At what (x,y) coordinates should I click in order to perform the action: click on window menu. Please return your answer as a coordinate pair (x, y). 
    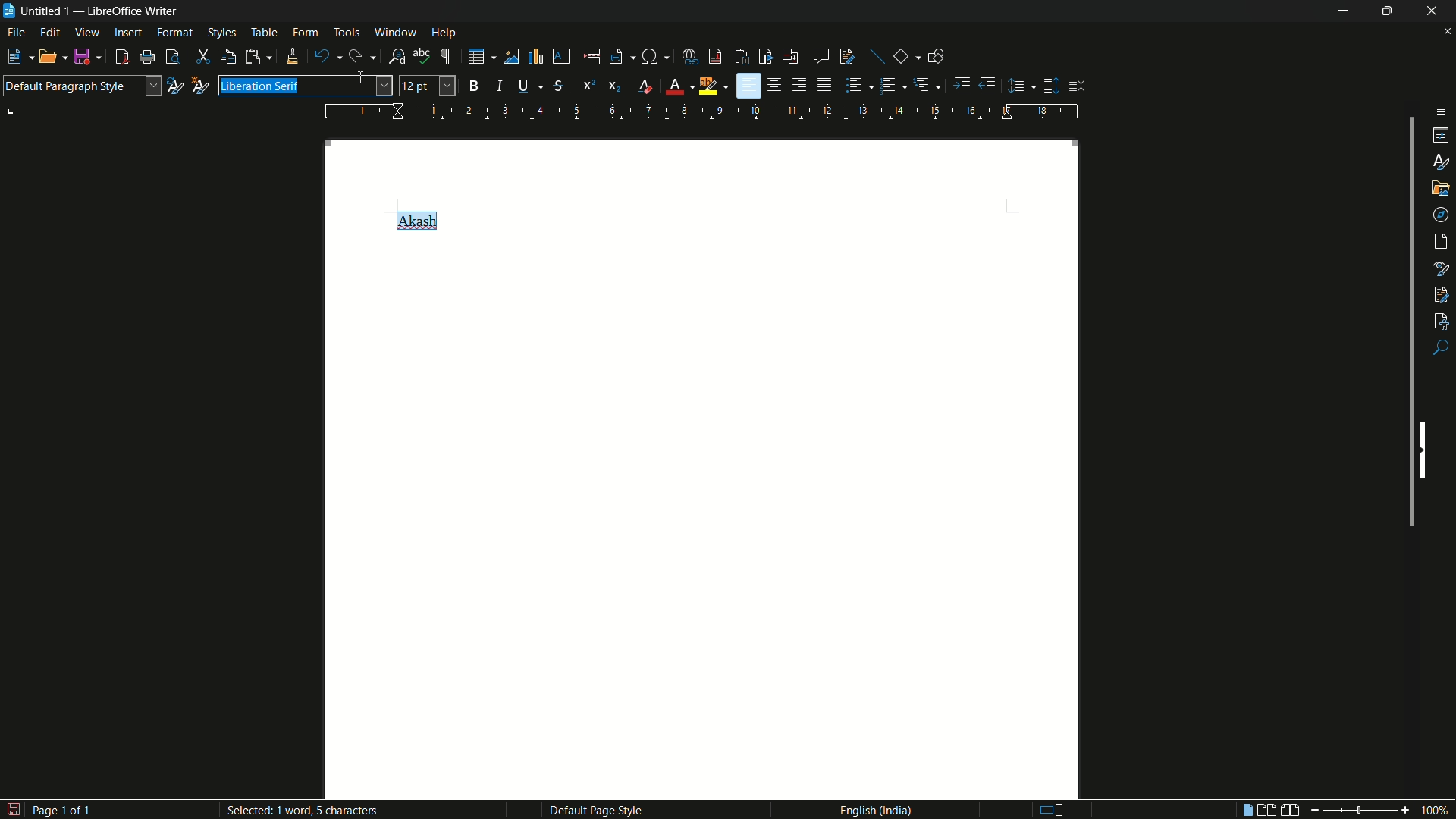
    Looking at the image, I should click on (396, 32).